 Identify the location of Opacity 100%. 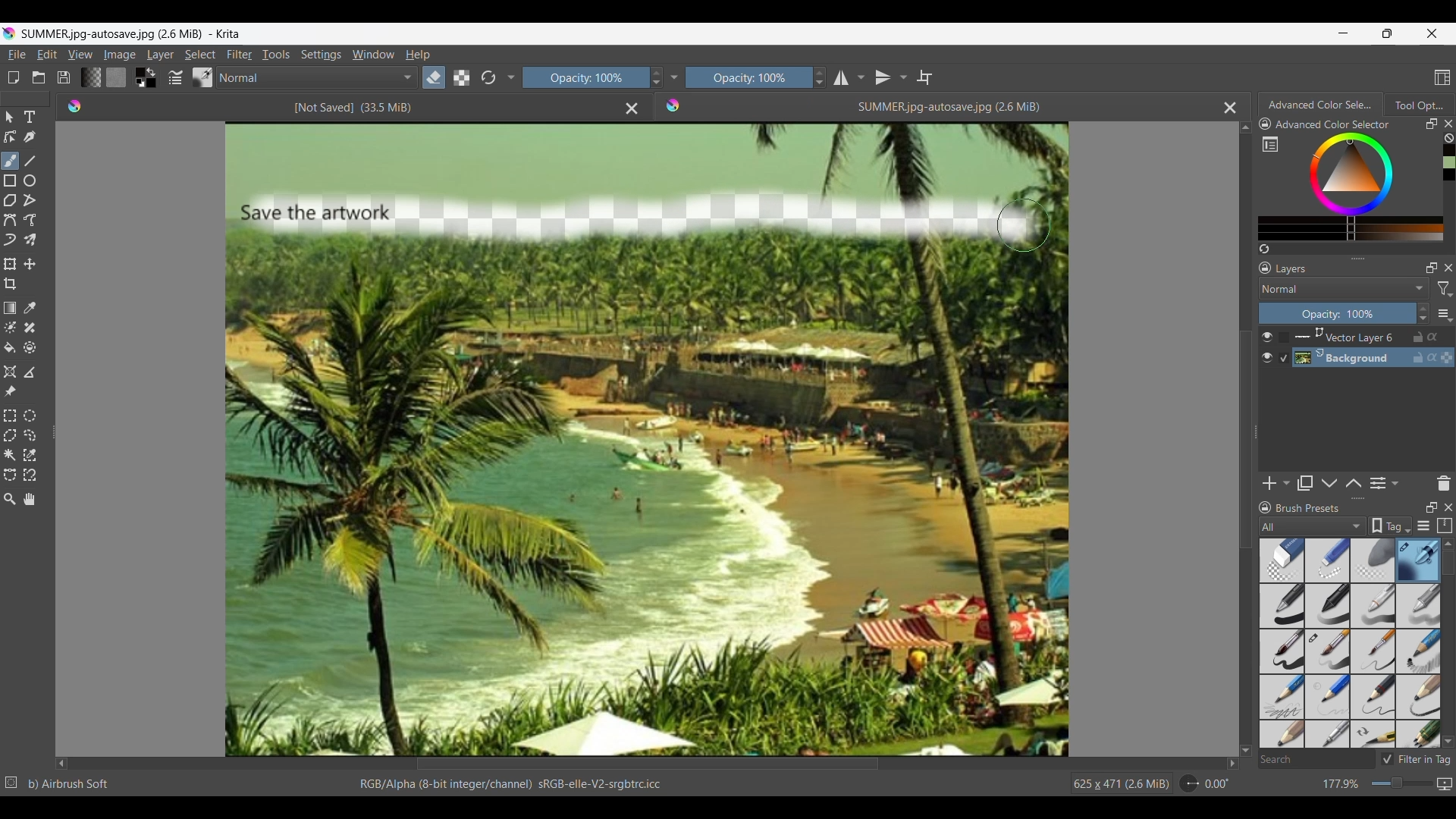
(1337, 314).